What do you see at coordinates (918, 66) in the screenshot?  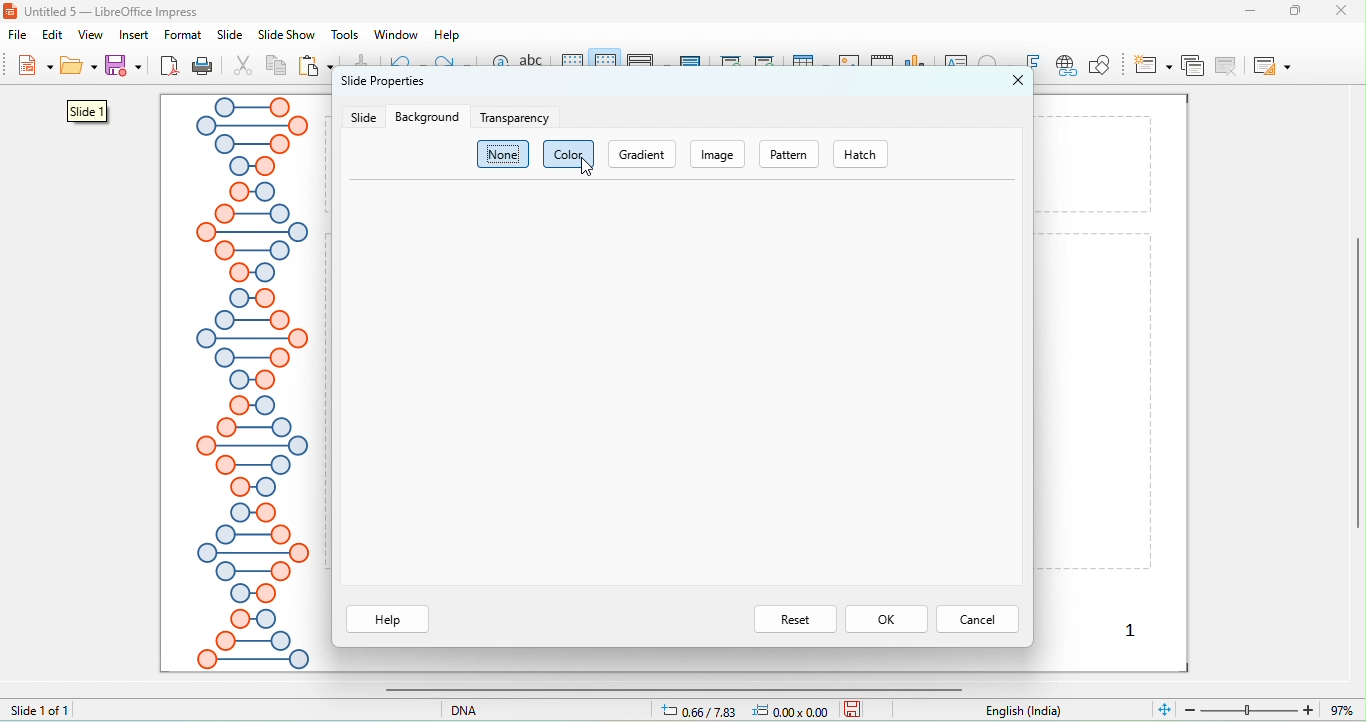 I see `chart` at bounding box center [918, 66].